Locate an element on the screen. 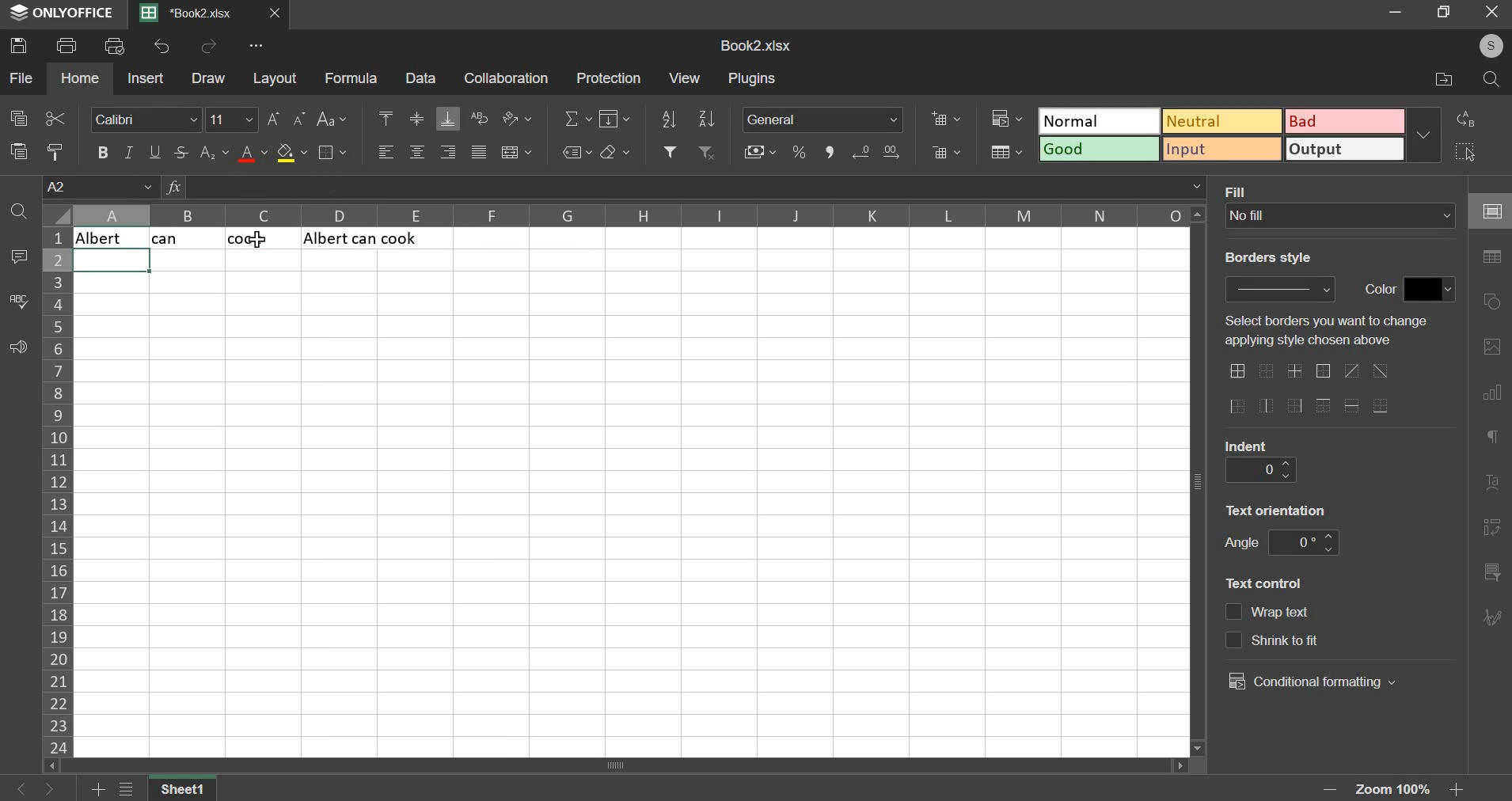  sum is located at coordinates (578, 117).